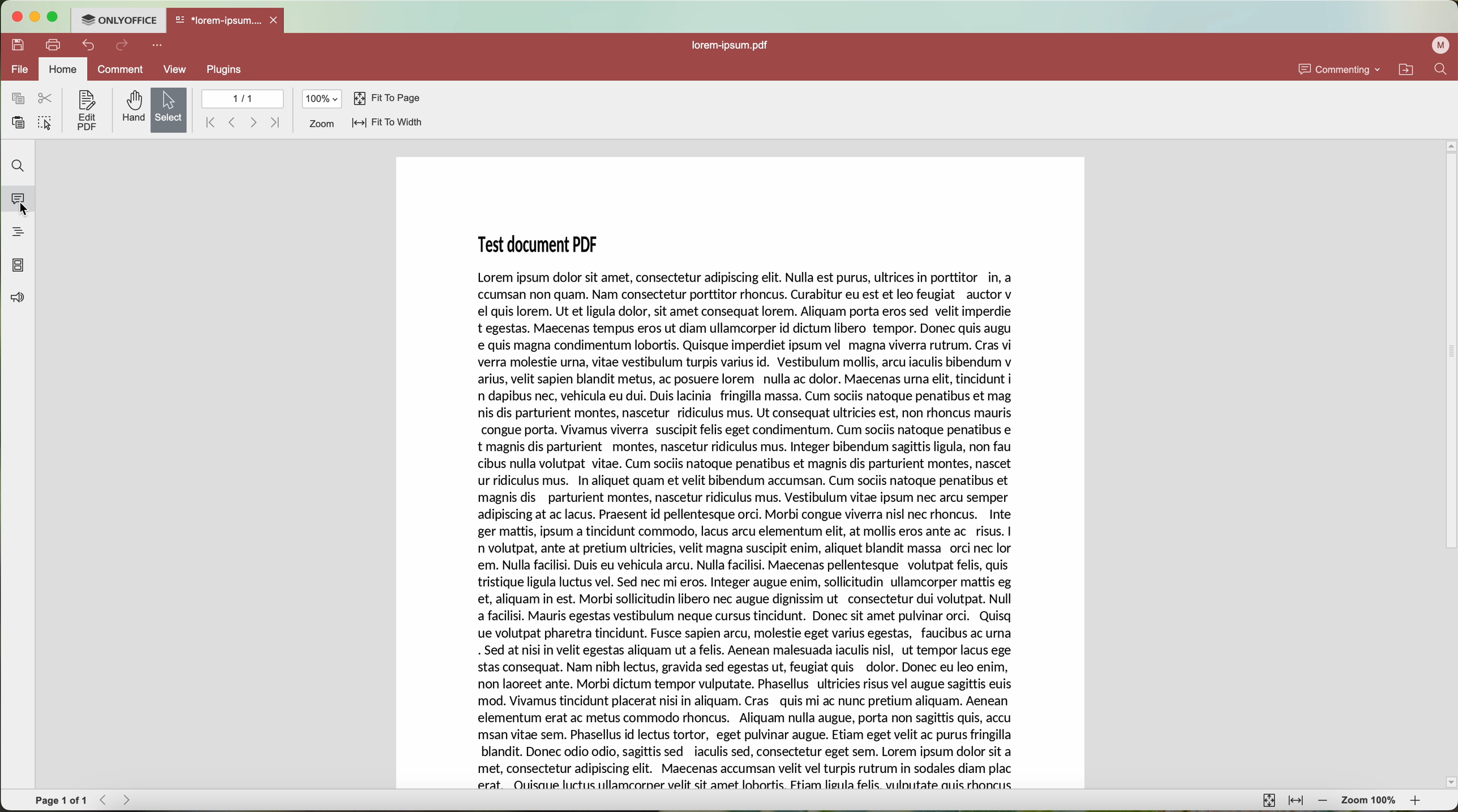 The height and width of the screenshot is (812, 1458). Describe the element at coordinates (1340, 69) in the screenshot. I see `commenting` at that location.